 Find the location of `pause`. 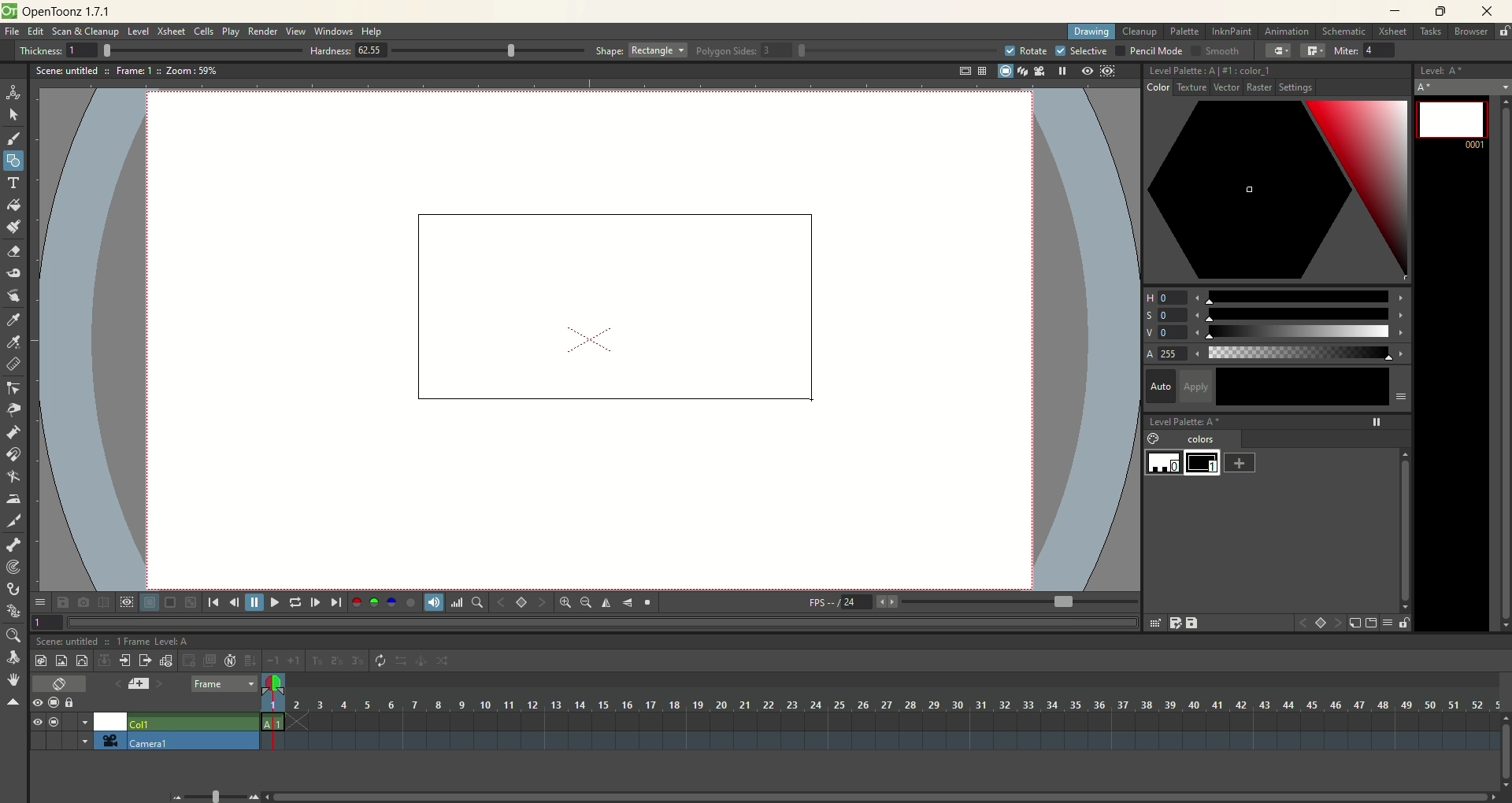

pause is located at coordinates (254, 602).